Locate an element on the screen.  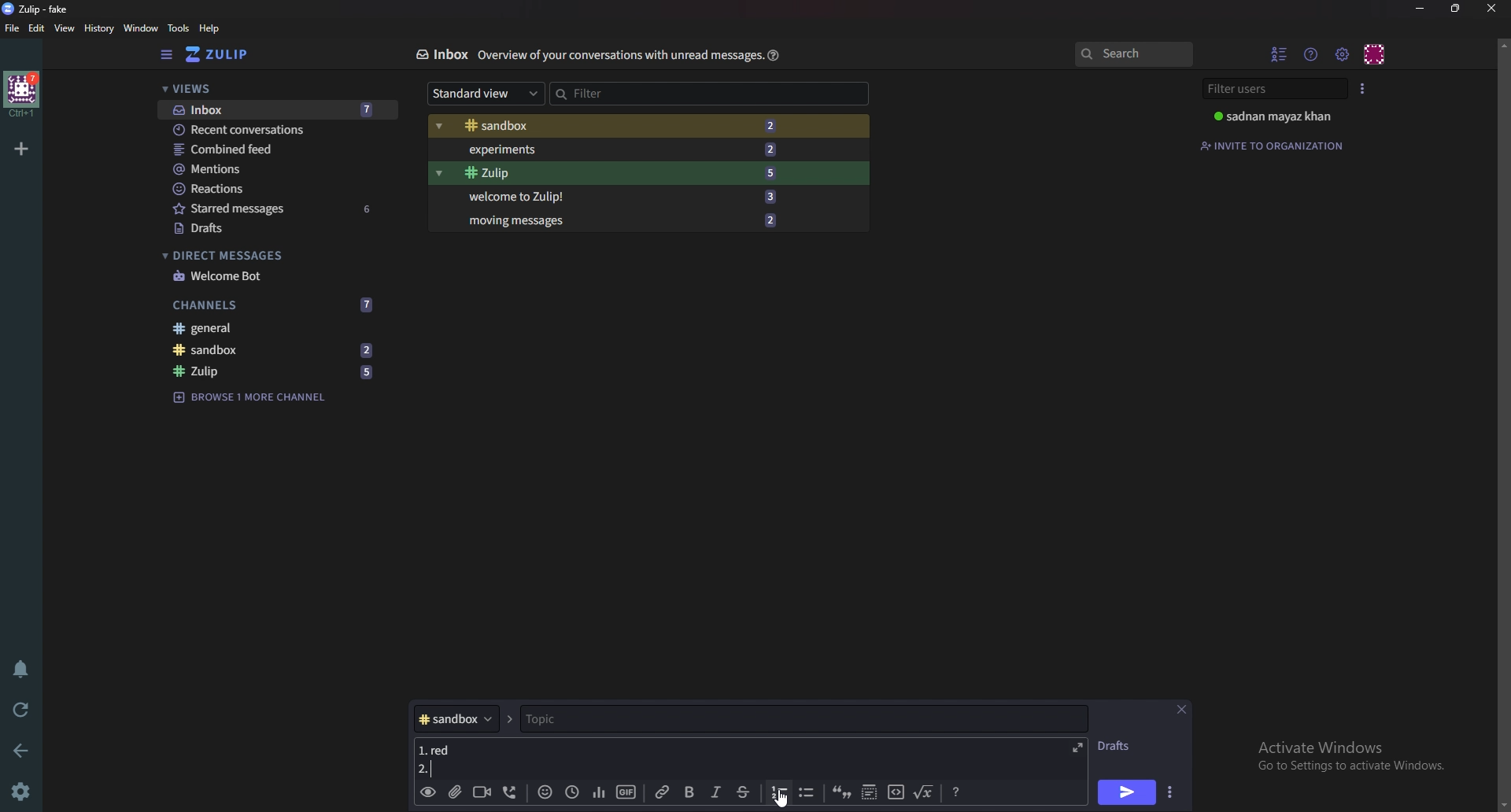
User list style is located at coordinates (1364, 87).